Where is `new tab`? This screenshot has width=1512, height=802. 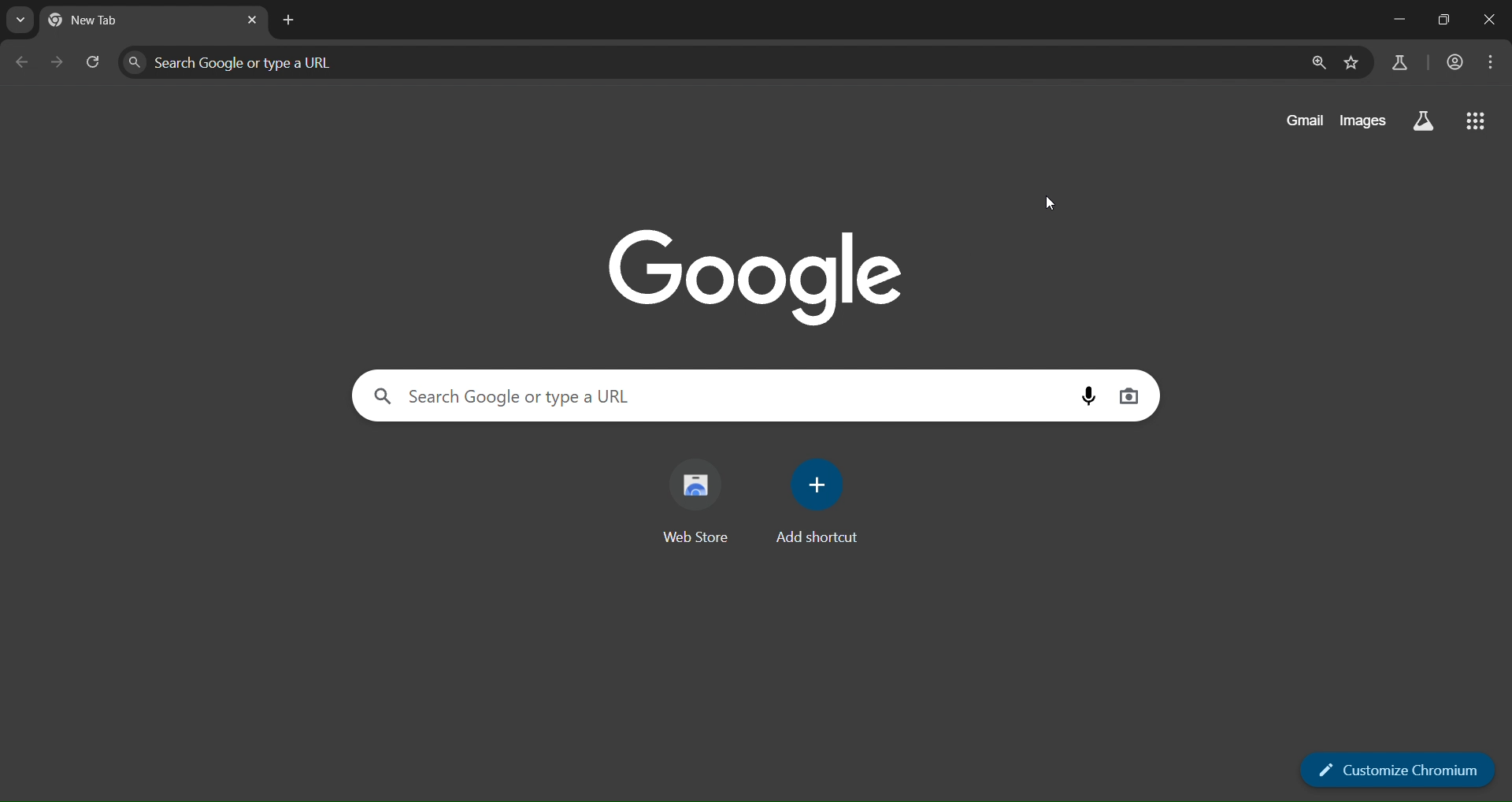 new tab is located at coordinates (106, 18).